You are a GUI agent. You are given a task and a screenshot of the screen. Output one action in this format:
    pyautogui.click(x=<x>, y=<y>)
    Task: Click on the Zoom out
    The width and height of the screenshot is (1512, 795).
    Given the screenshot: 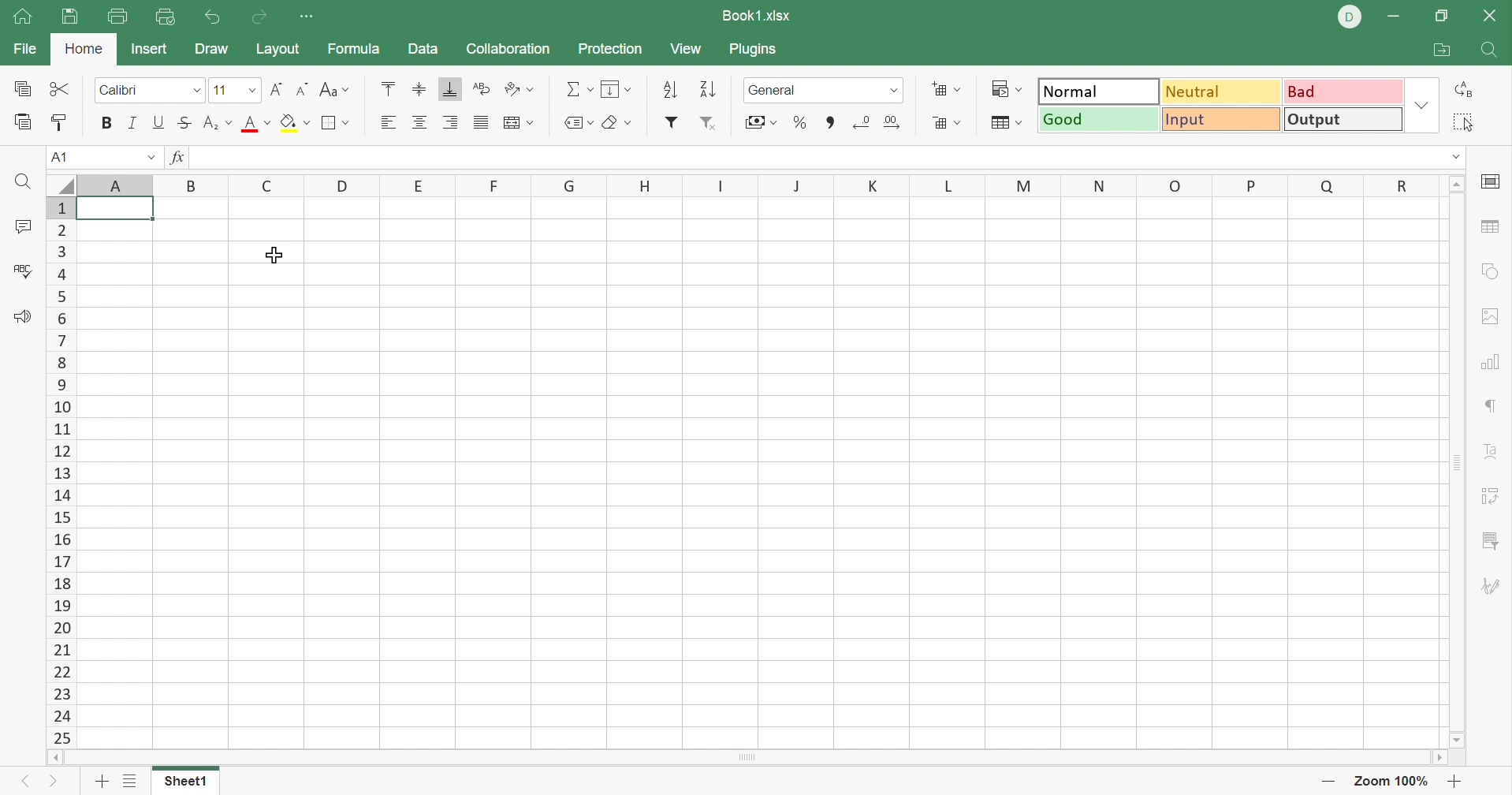 What is the action you would take?
    pyautogui.click(x=1325, y=782)
    